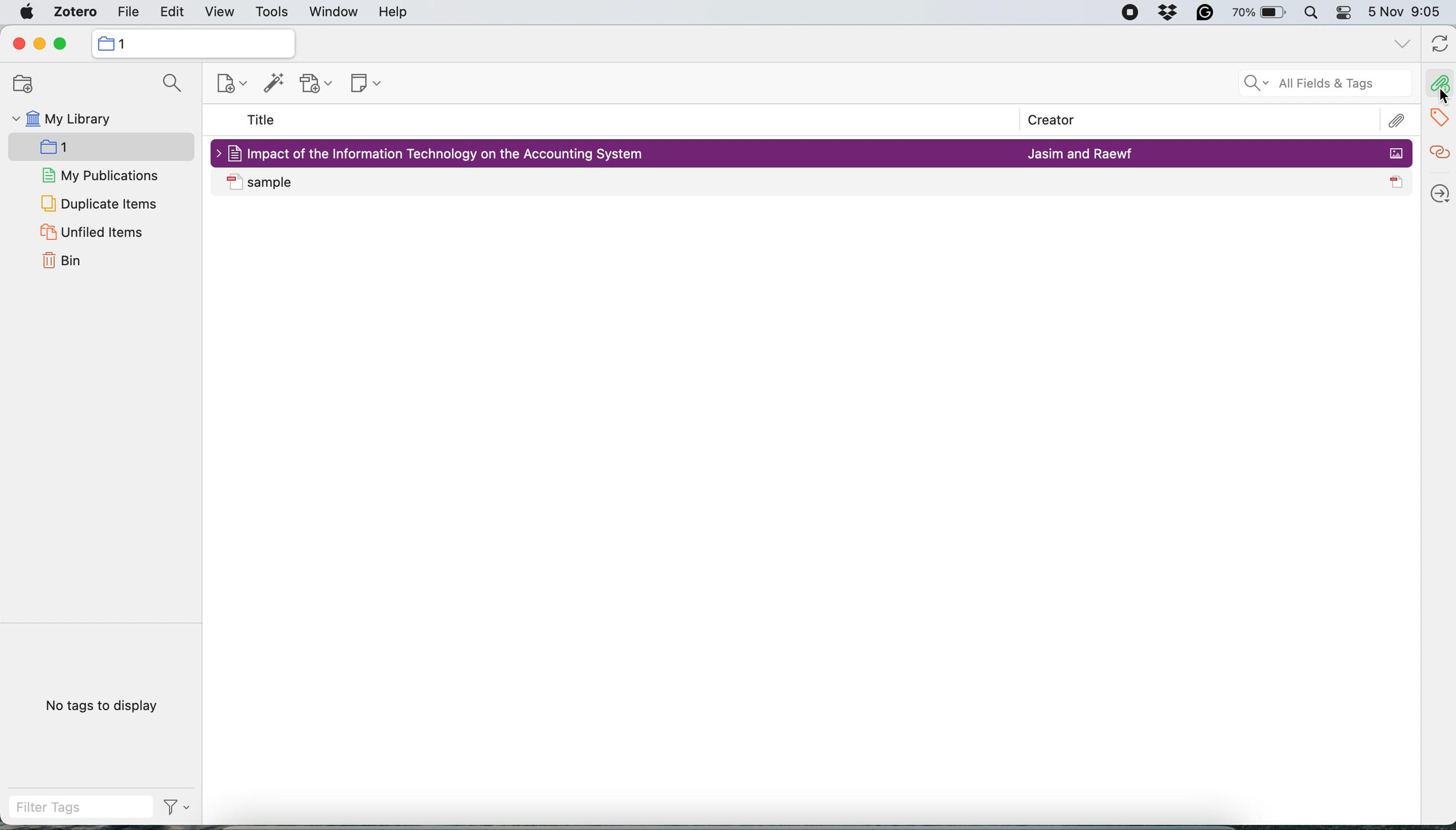 This screenshot has height=830, width=1456. Describe the element at coordinates (104, 705) in the screenshot. I see `no tags to display` at that location.